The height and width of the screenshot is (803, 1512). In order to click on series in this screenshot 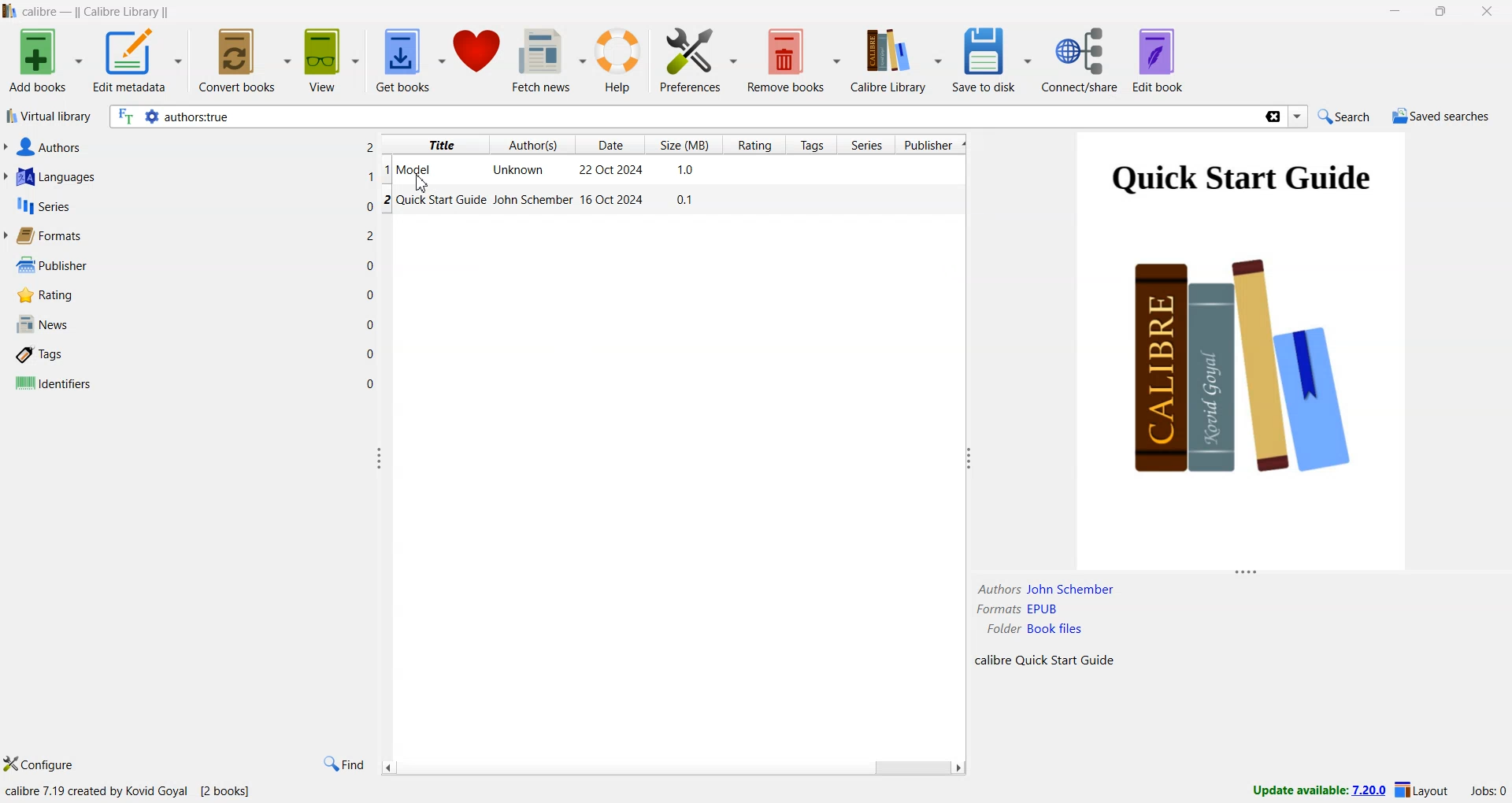, I will do `click(867, 146)`.